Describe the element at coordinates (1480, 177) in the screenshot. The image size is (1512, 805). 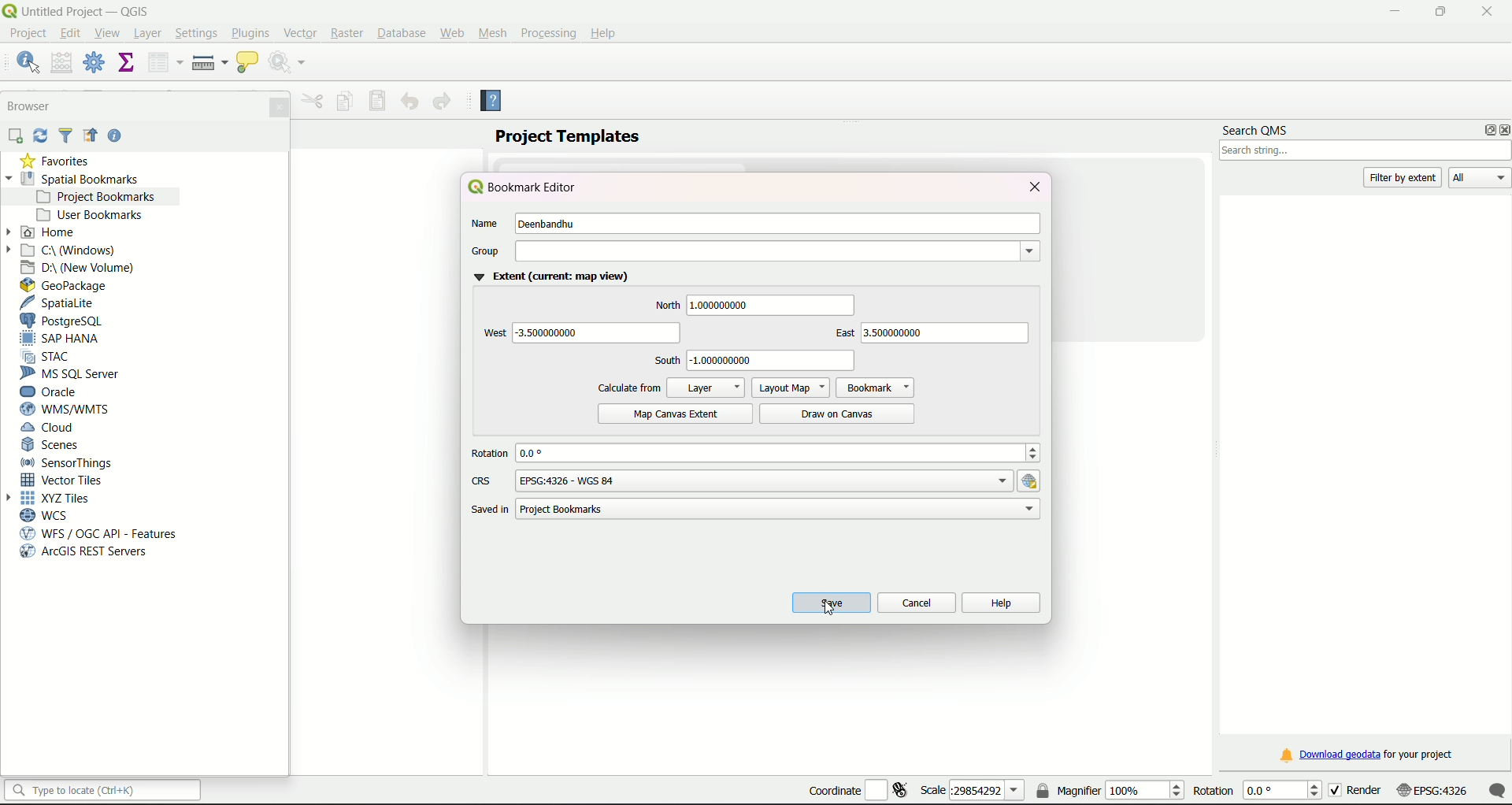
I see `All` at that location.